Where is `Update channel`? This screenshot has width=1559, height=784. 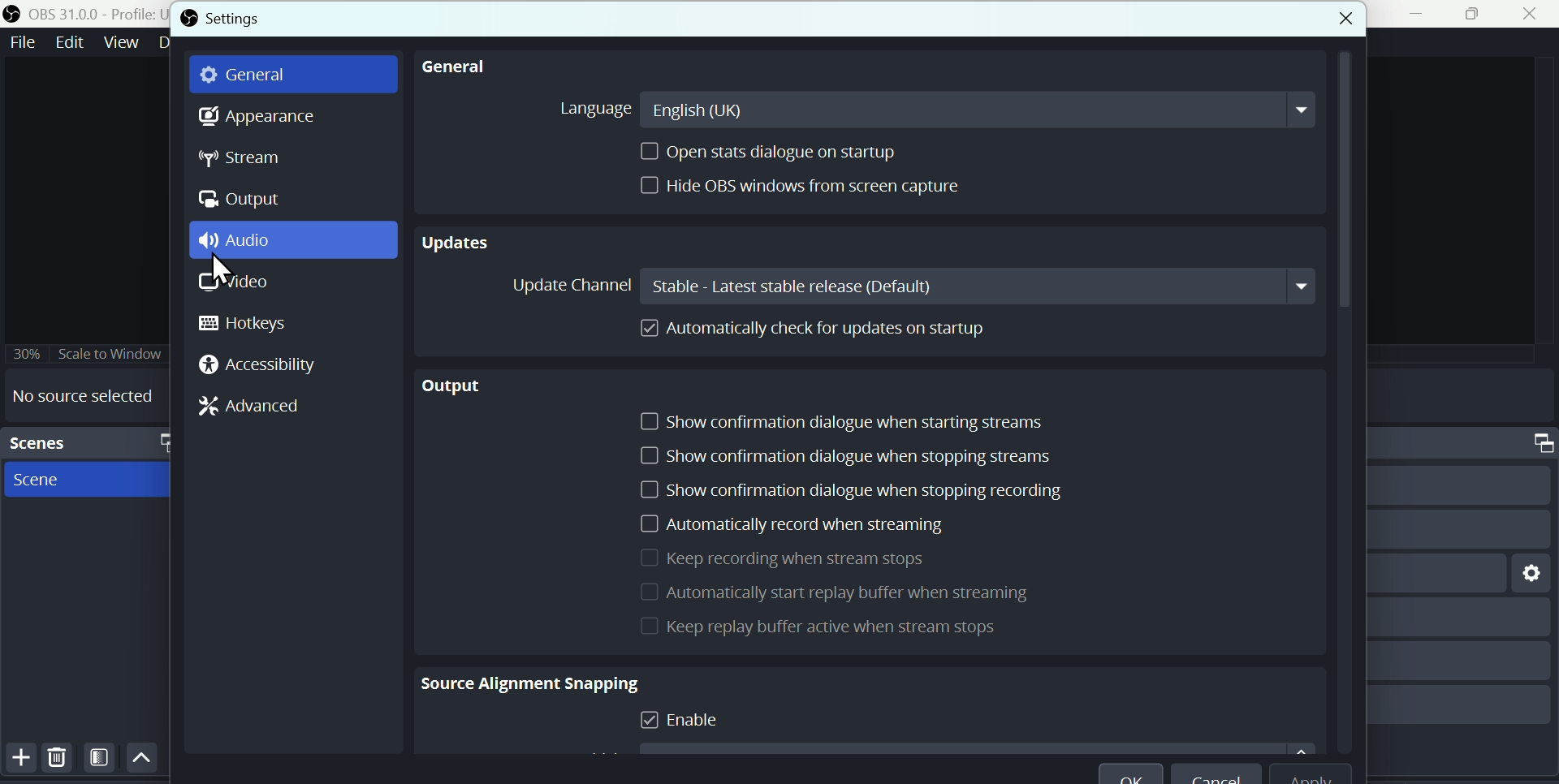
Update channel is located at coordinates (561, 286).